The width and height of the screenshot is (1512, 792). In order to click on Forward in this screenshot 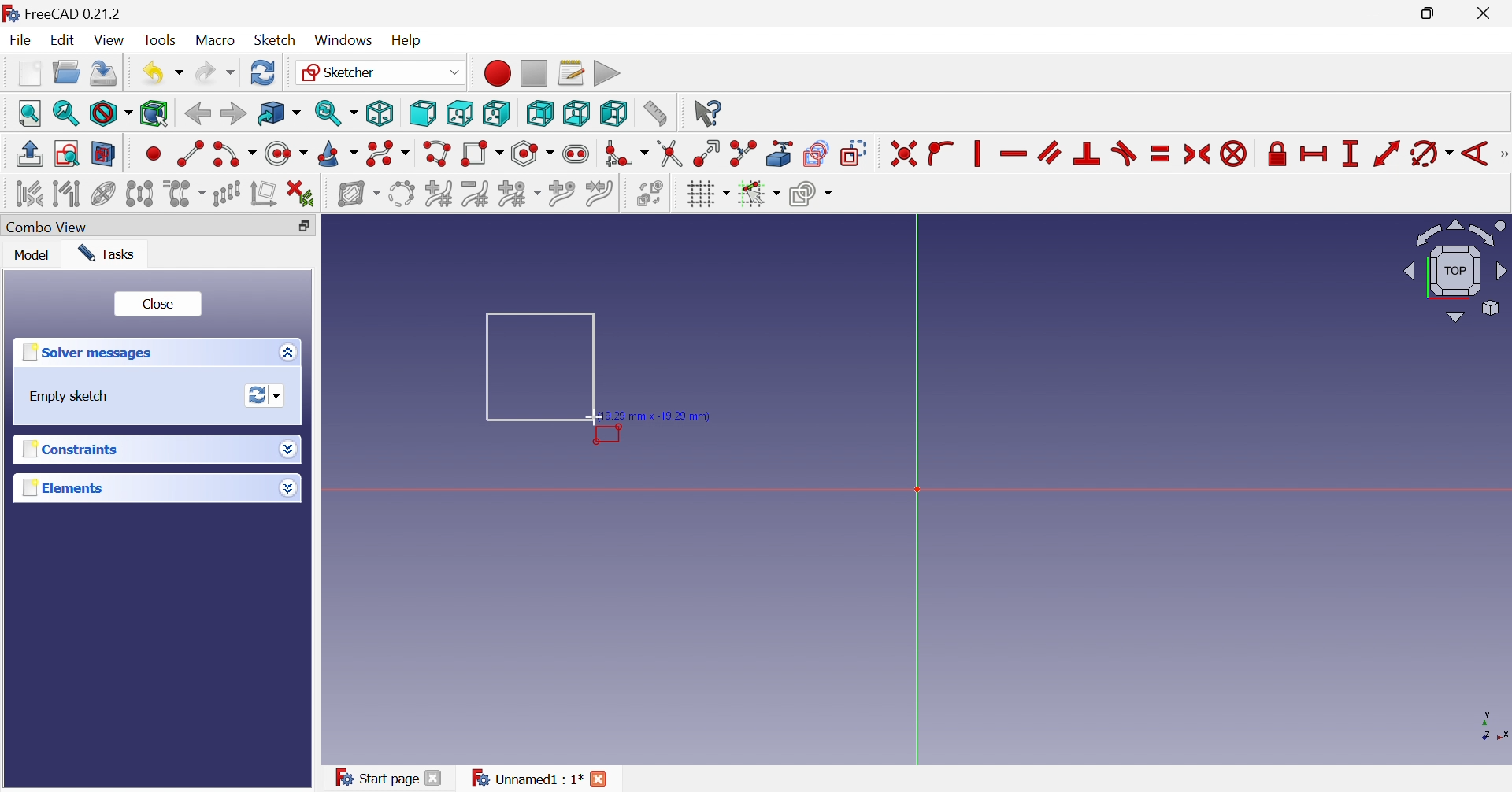, I will do `click(232, 113)`.